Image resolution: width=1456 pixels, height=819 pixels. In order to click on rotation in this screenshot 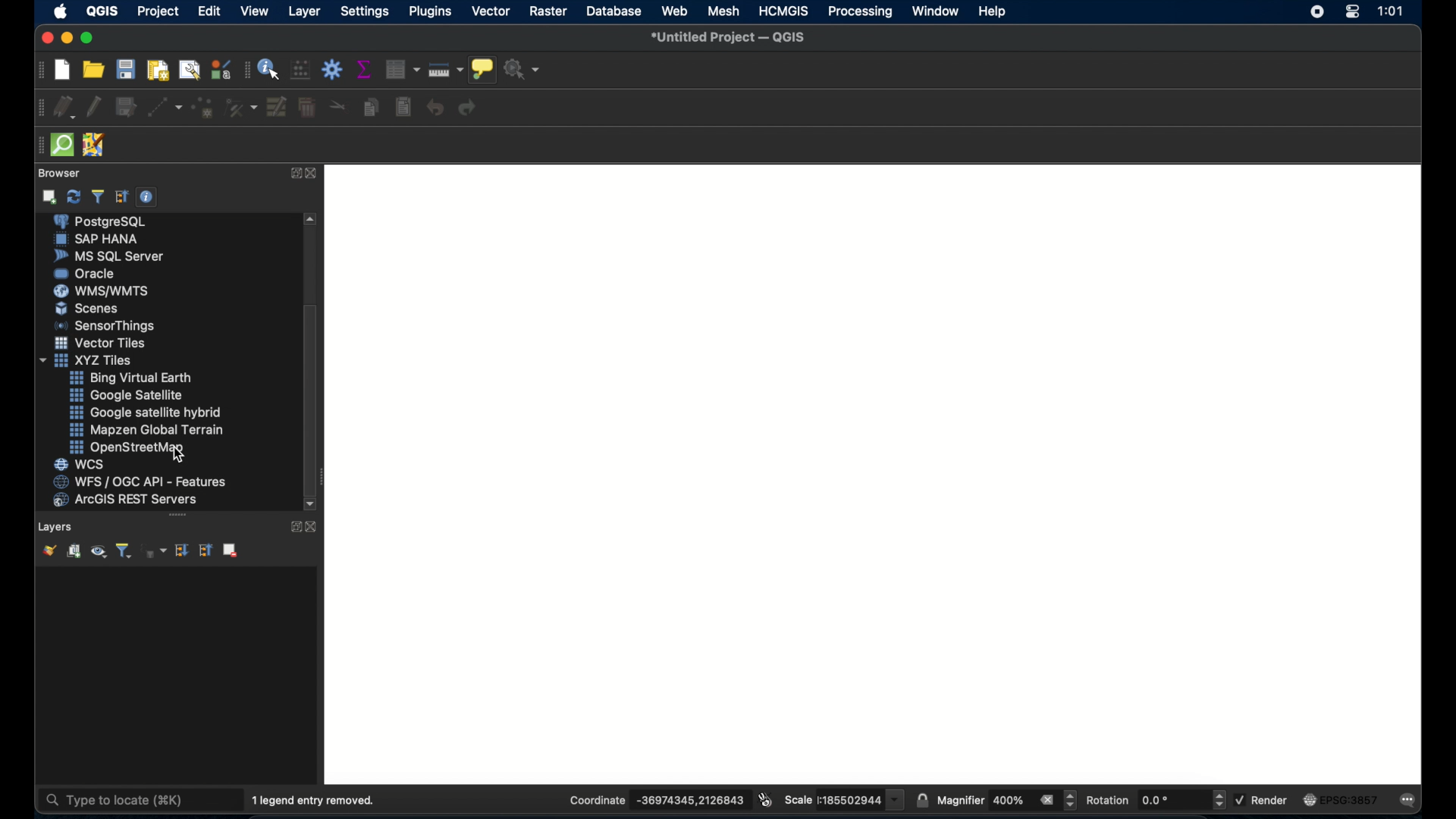, I will do `click(1157, 800)`.